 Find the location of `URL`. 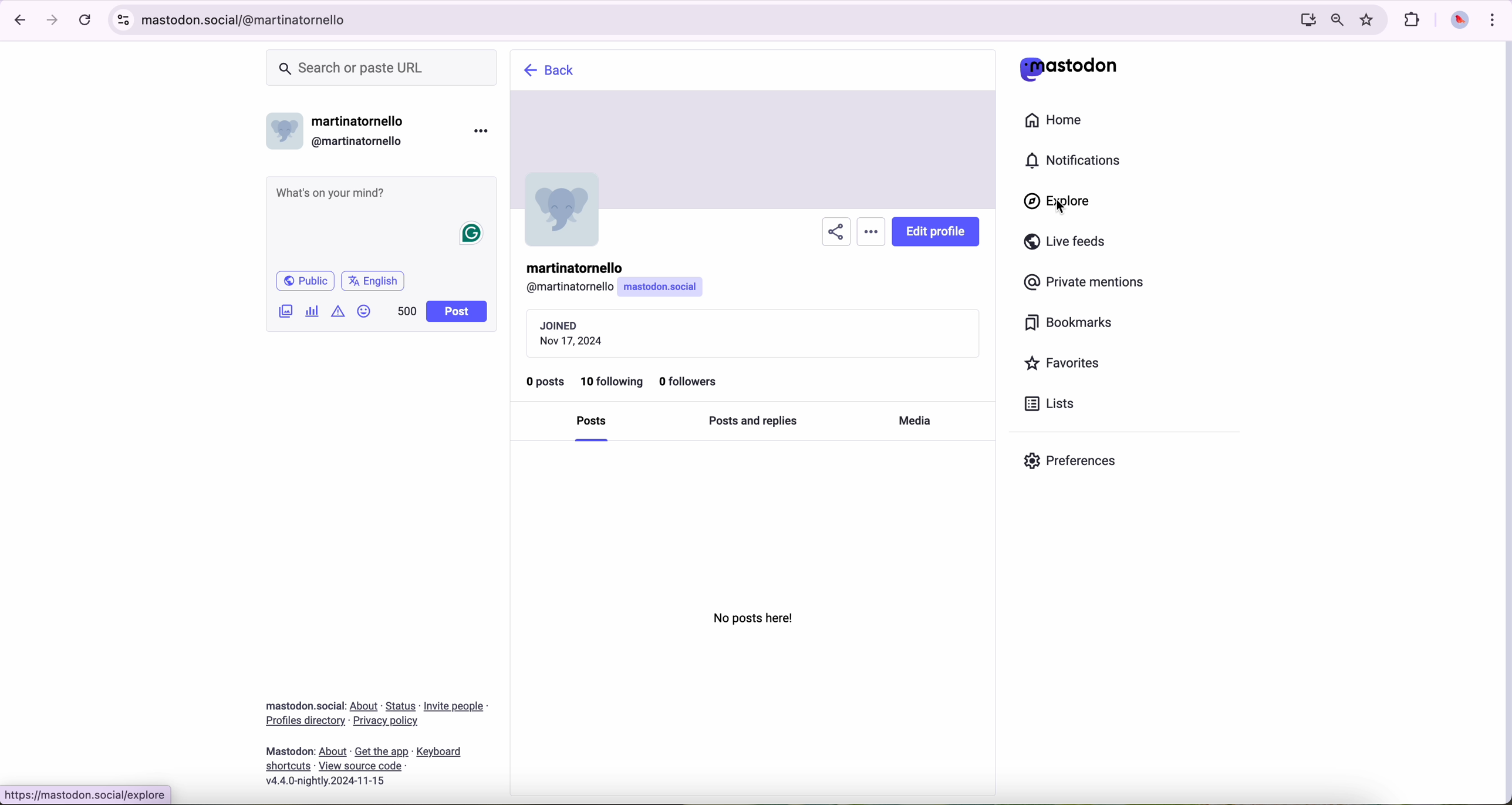

URL is located at coordinates (84, 794).